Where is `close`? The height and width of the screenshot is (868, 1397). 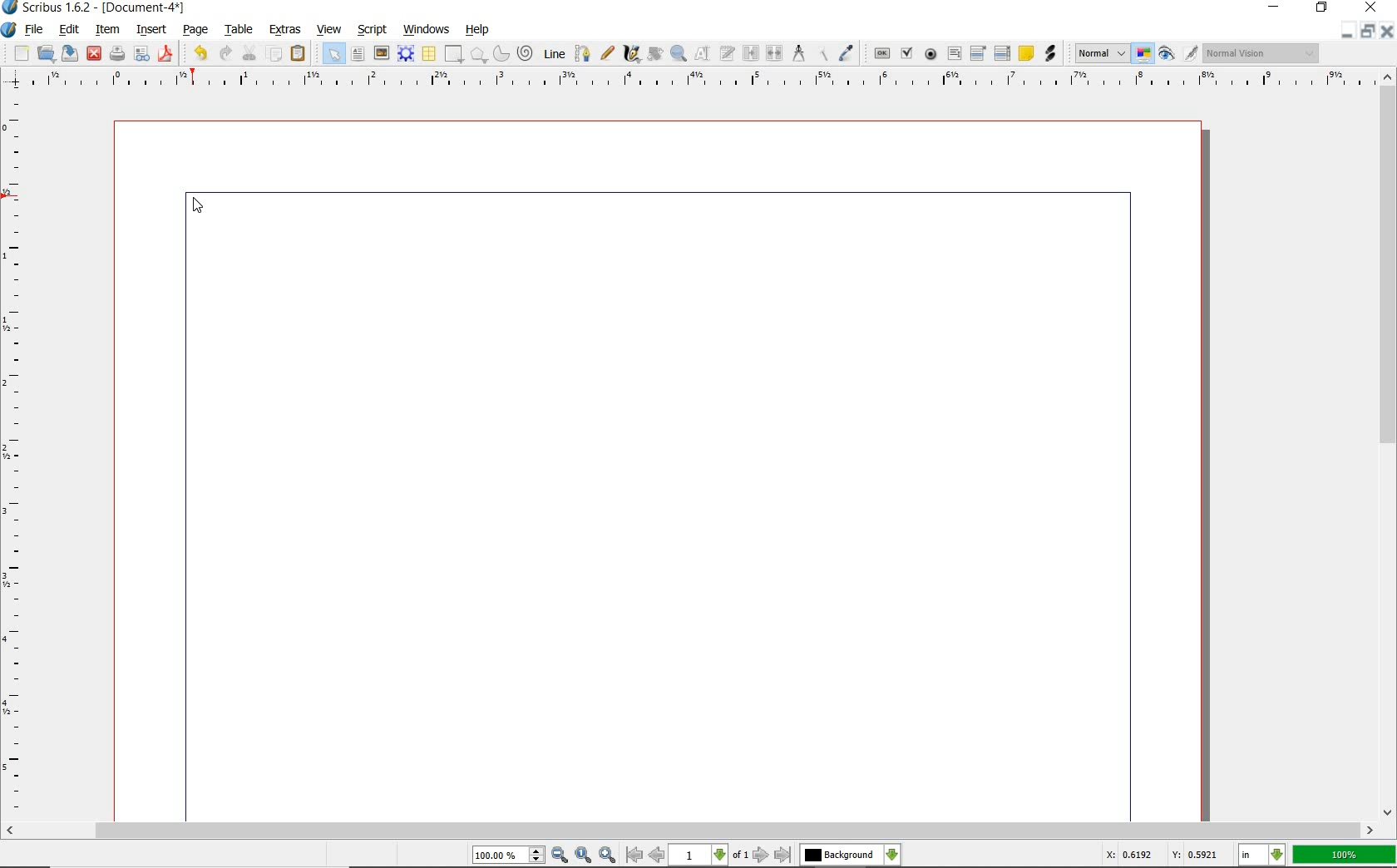
close is located at coordinates (1388, 31).